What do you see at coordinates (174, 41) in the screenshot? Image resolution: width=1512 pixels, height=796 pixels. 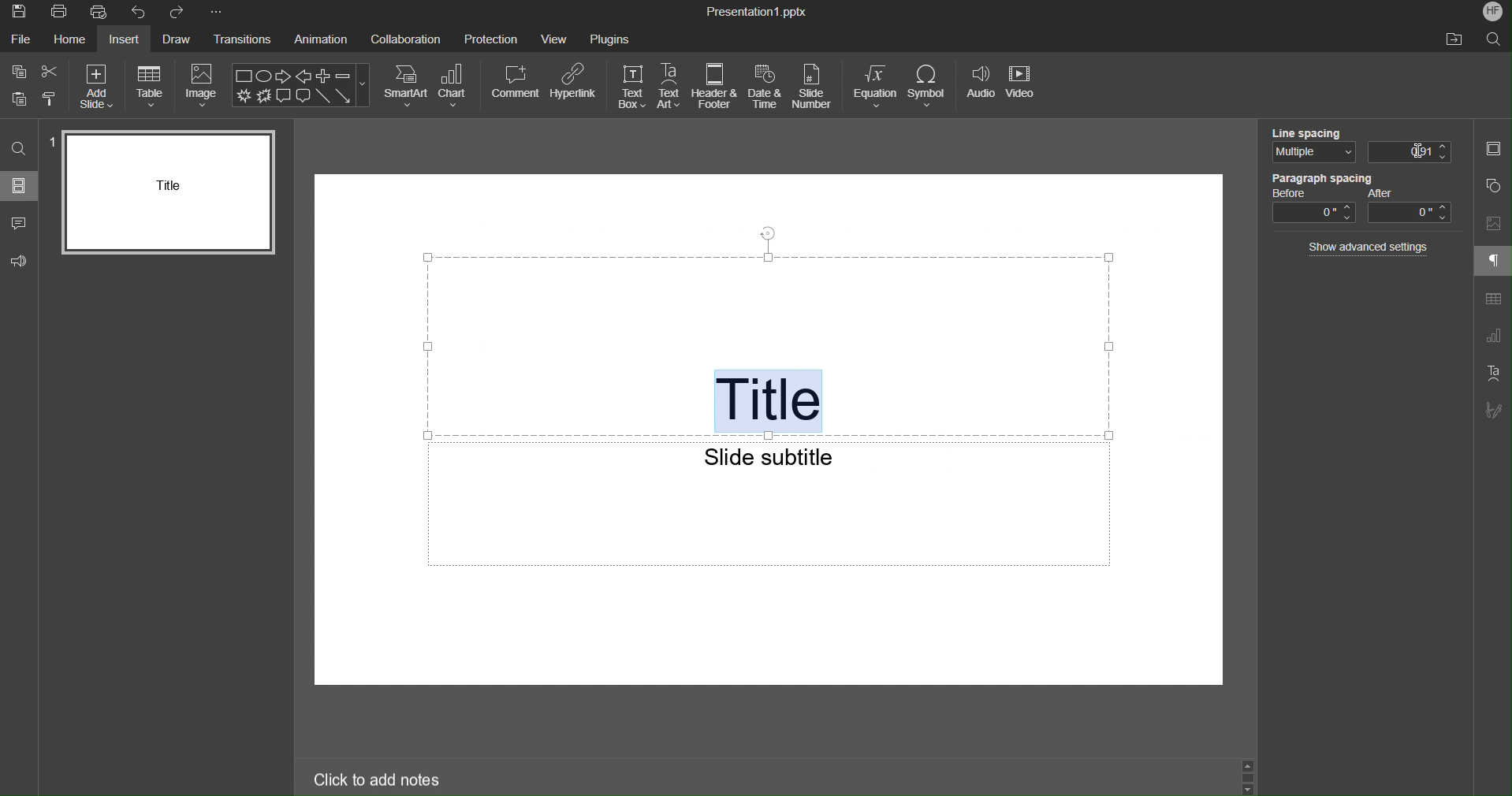 I see `Draw` at bounding box center [174, 41].